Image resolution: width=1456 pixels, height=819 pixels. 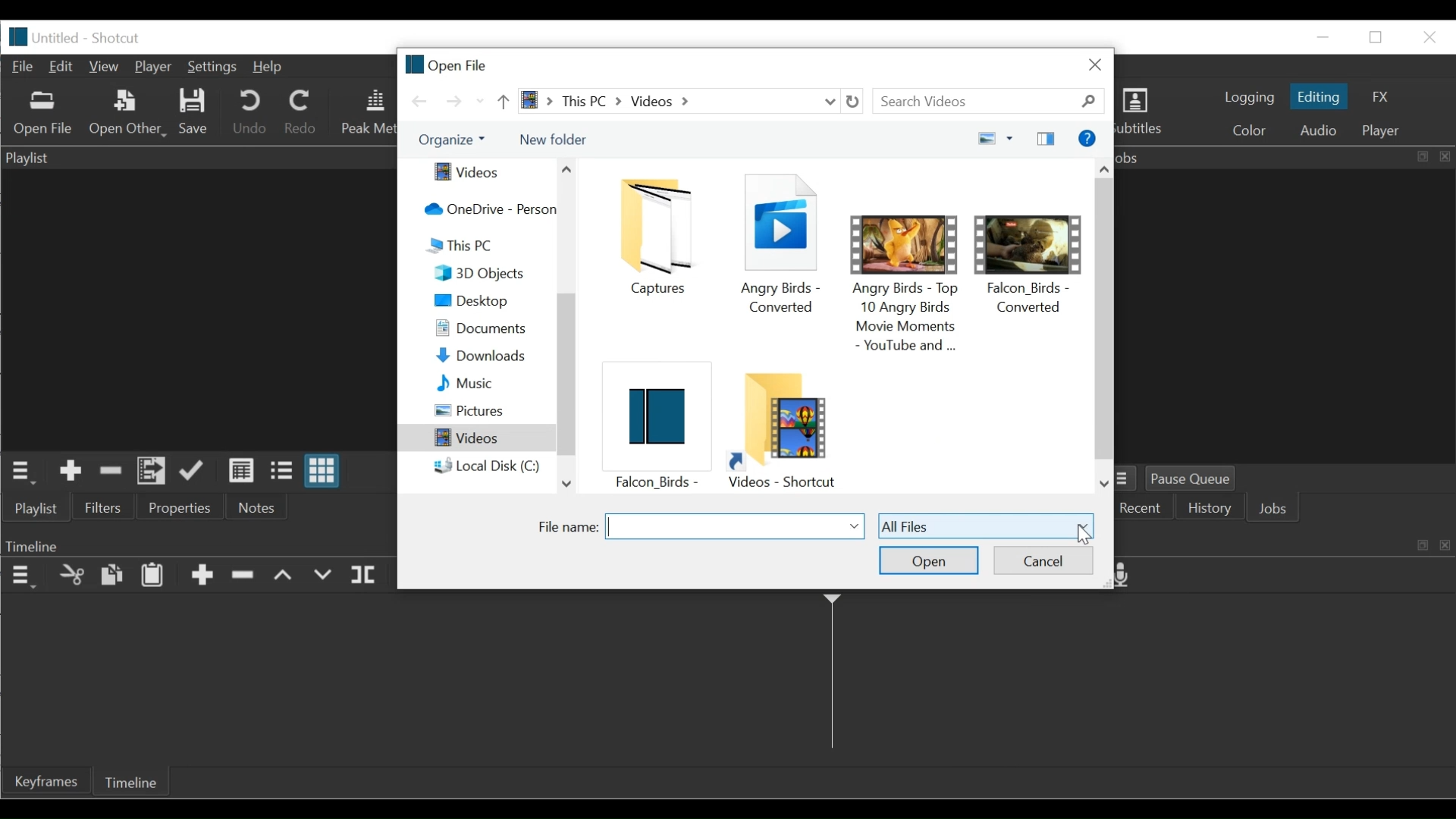 What do you see at coordinates (1081, 537) in the screenshot?
I see `Cursor` at bounding box center [1081, 537].